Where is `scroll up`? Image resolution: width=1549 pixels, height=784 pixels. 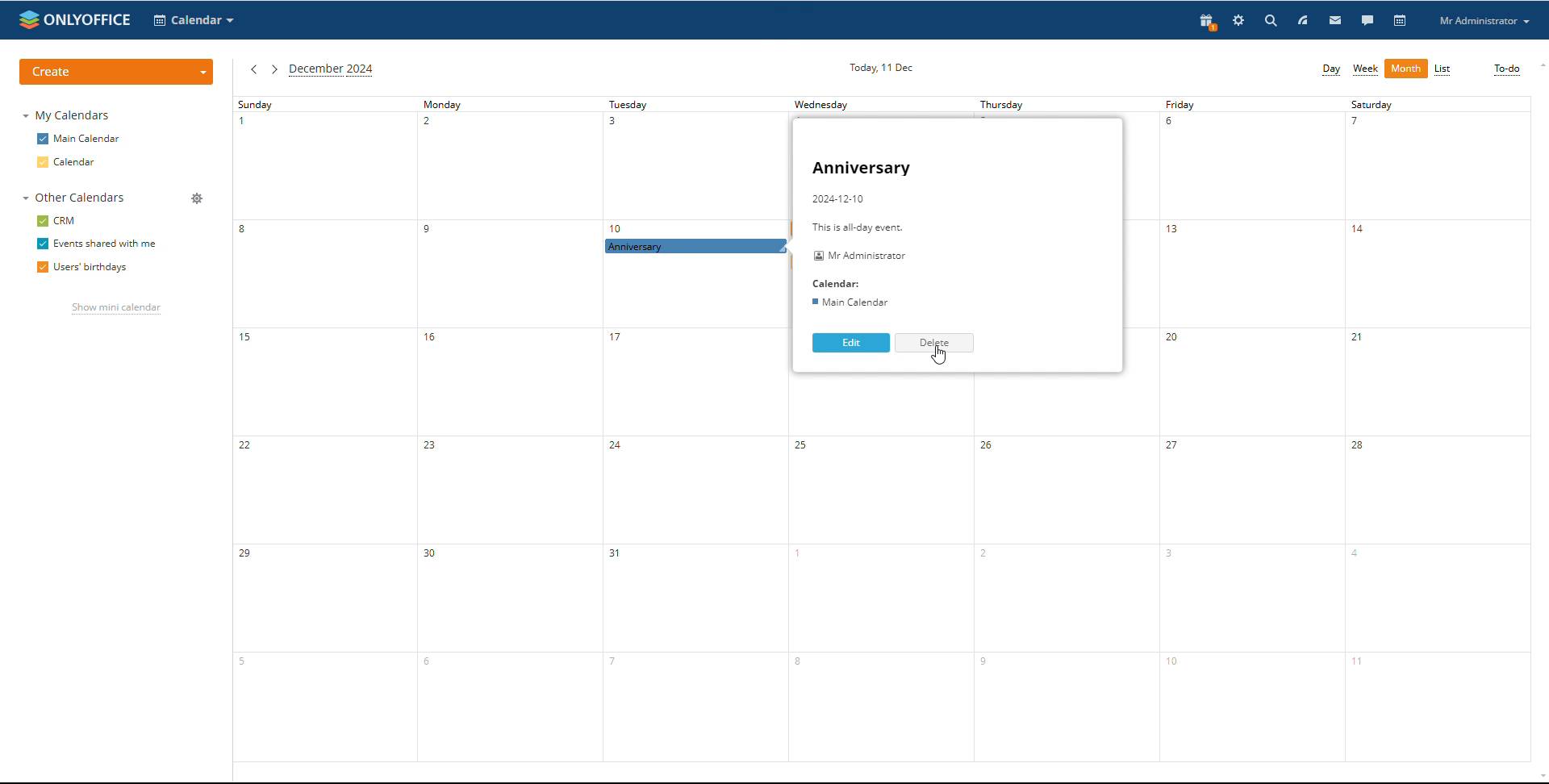
scroll up is located at coordinates (1539, 65).